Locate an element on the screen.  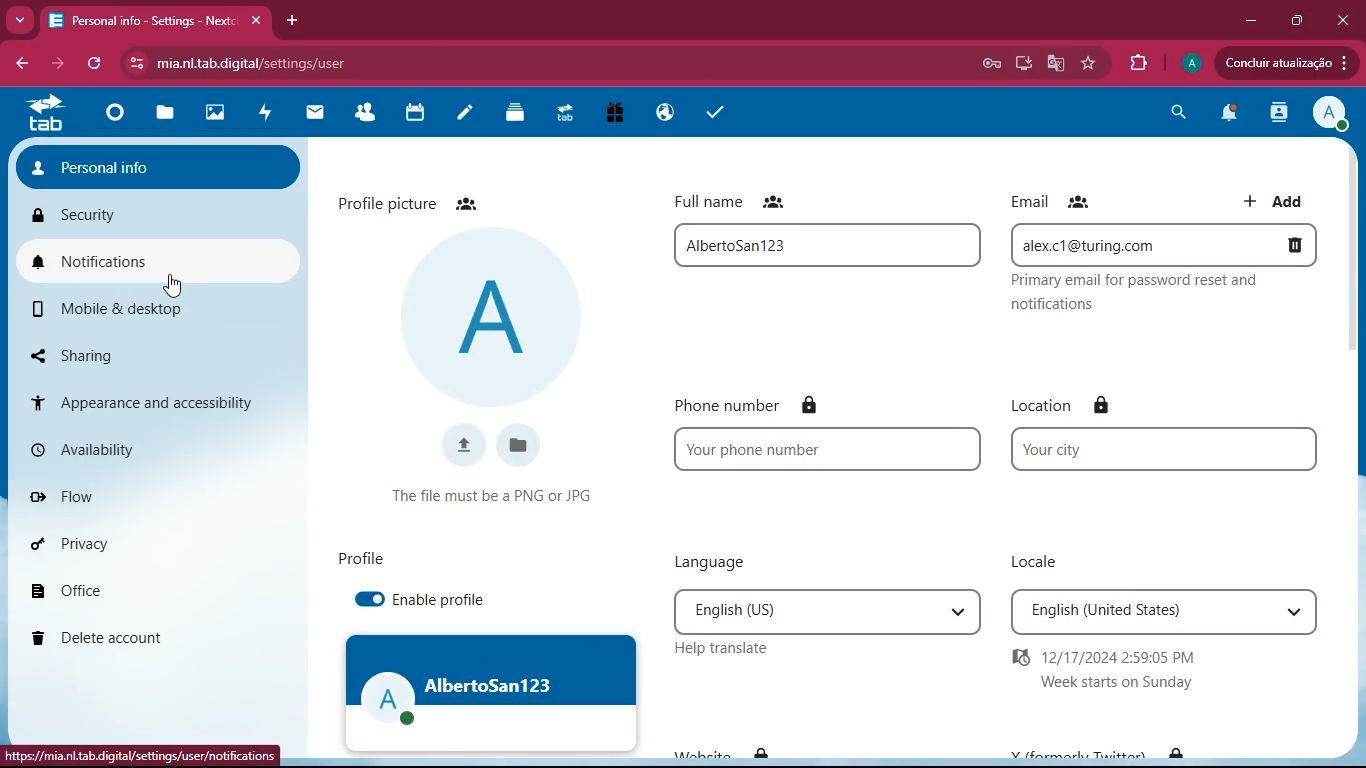
add is located at coordinates (1278, 200).